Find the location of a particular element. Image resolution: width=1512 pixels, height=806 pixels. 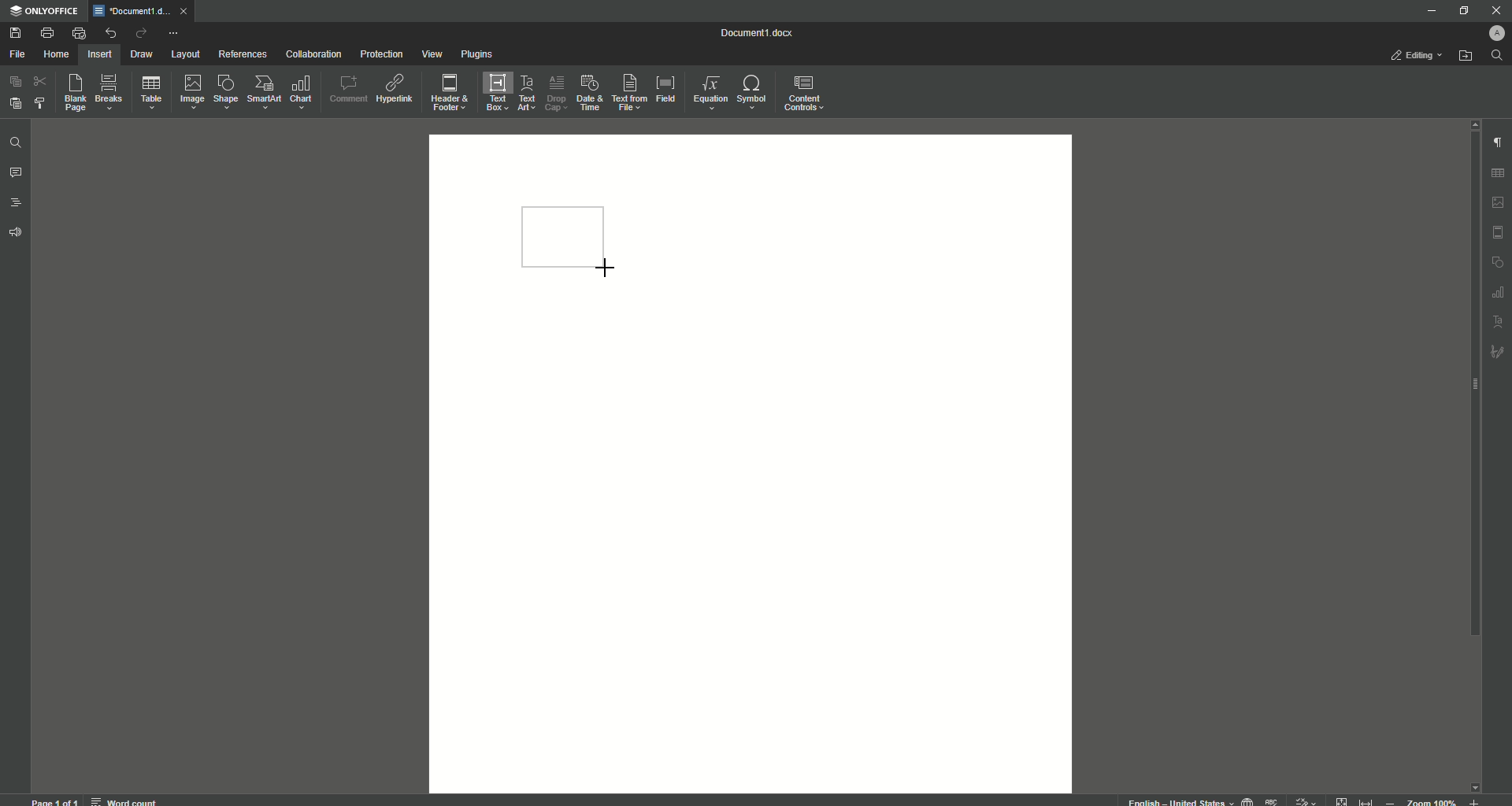

Equation is located at coordinates (706, 91).